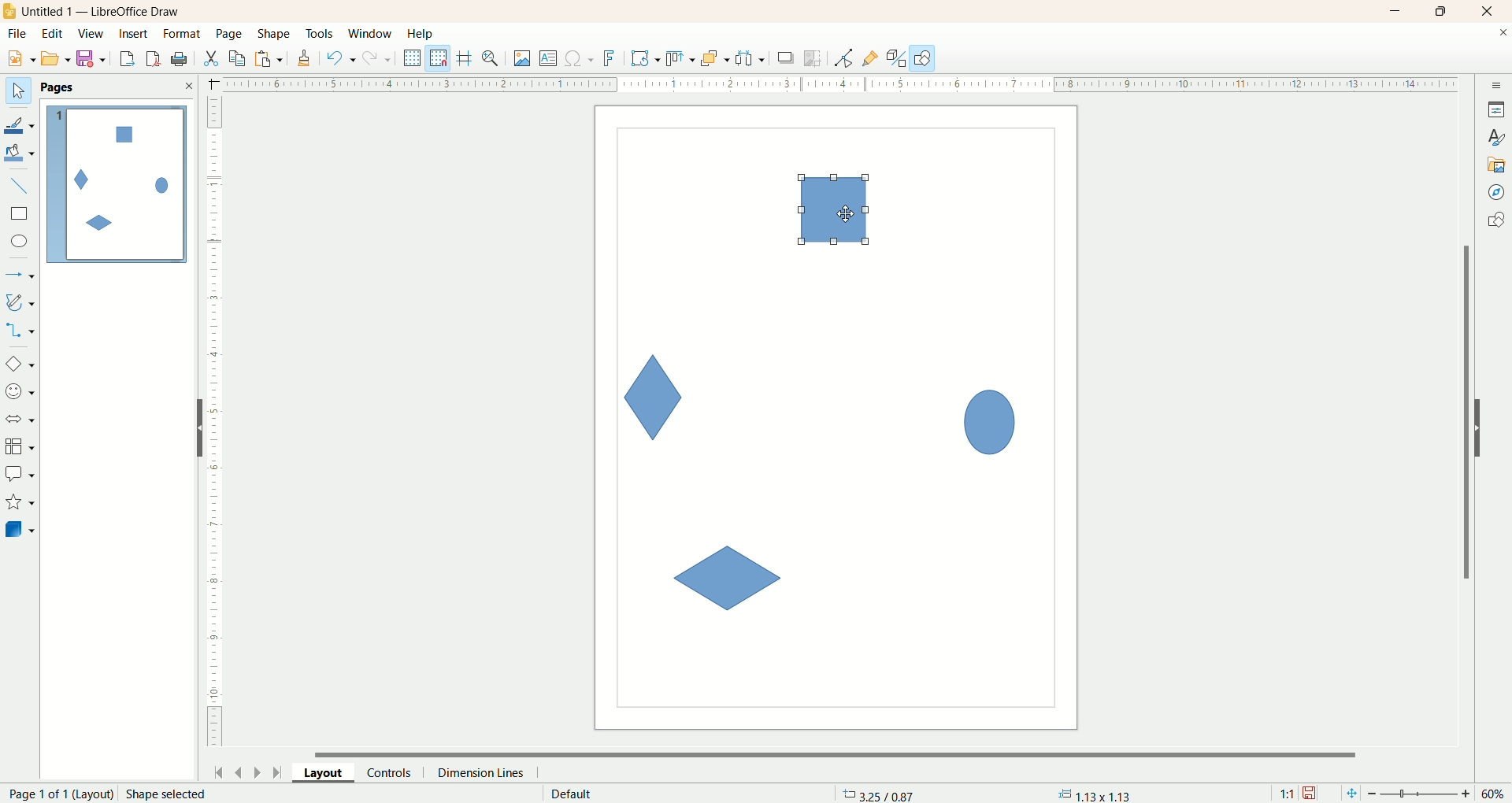  I want to click on page number, so click(57, 794).